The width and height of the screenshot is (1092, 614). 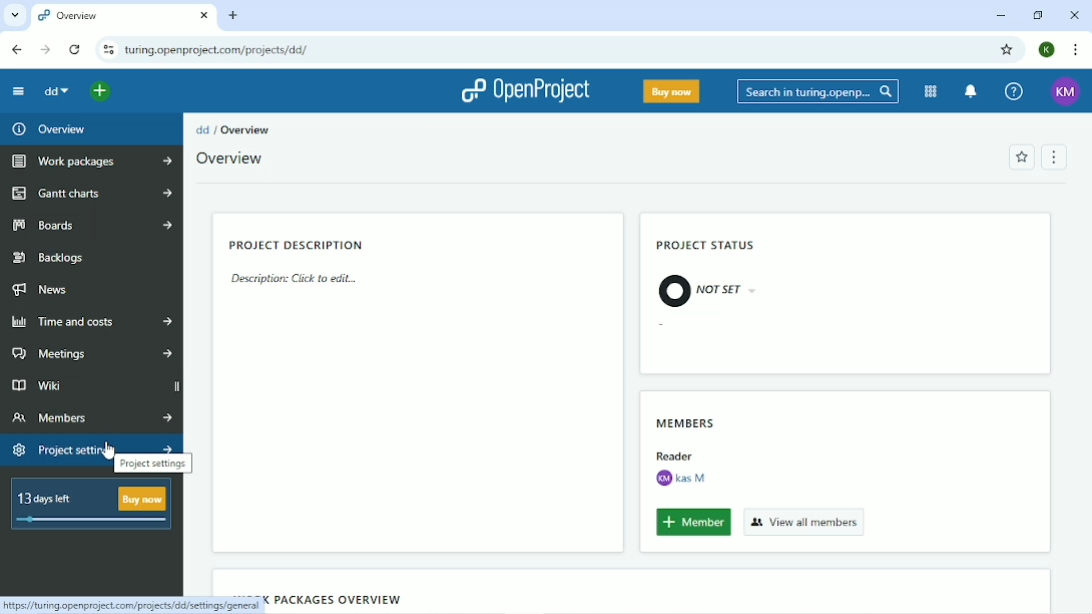 What do you see at coordinates (53, 259) in the screenshot?
I see `Backlogs` at bounding box center [53, 259].